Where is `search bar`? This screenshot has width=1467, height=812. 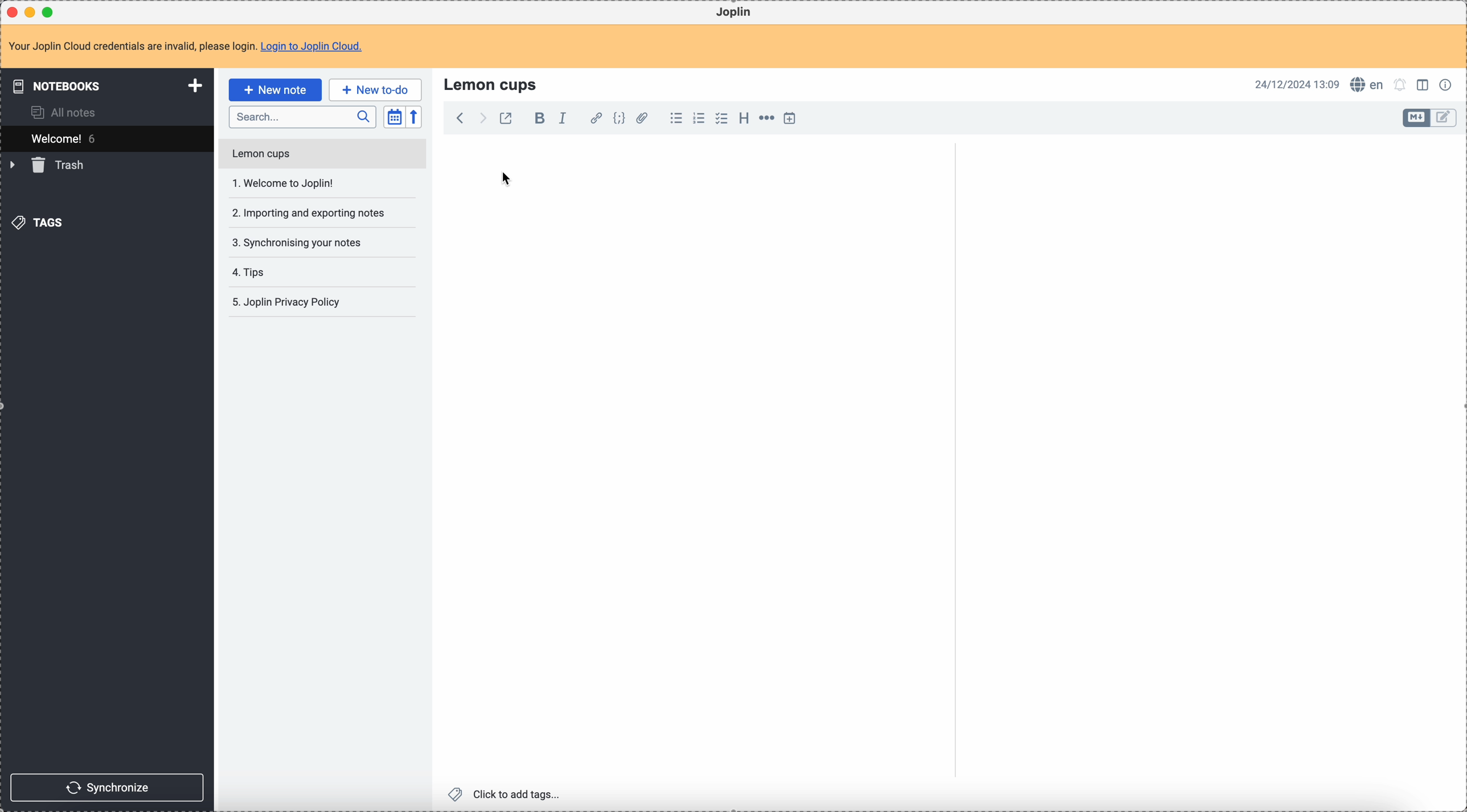
search bar is located at coordinates (302, 117).